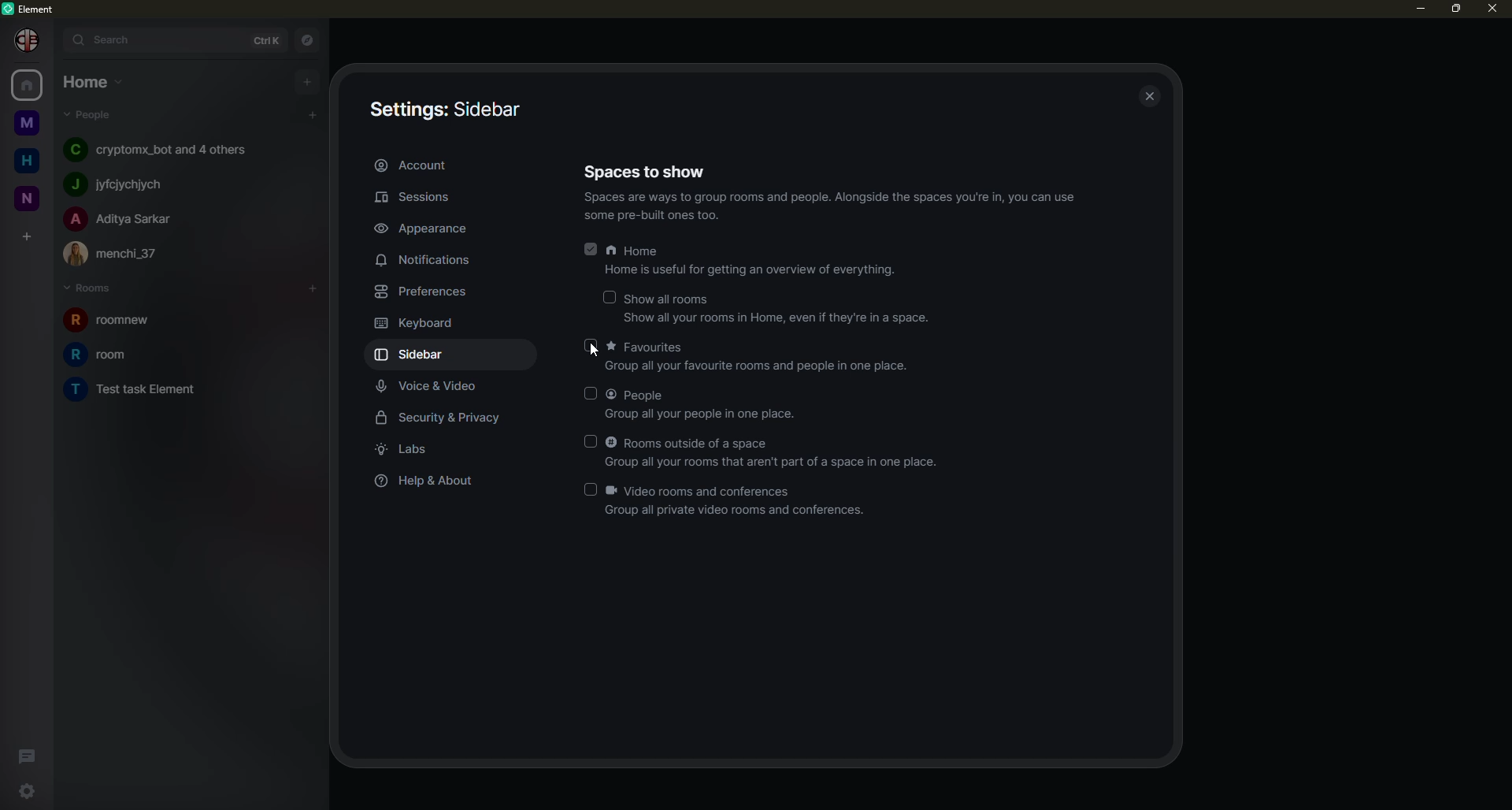  I want to click on room, so click(154, 391).